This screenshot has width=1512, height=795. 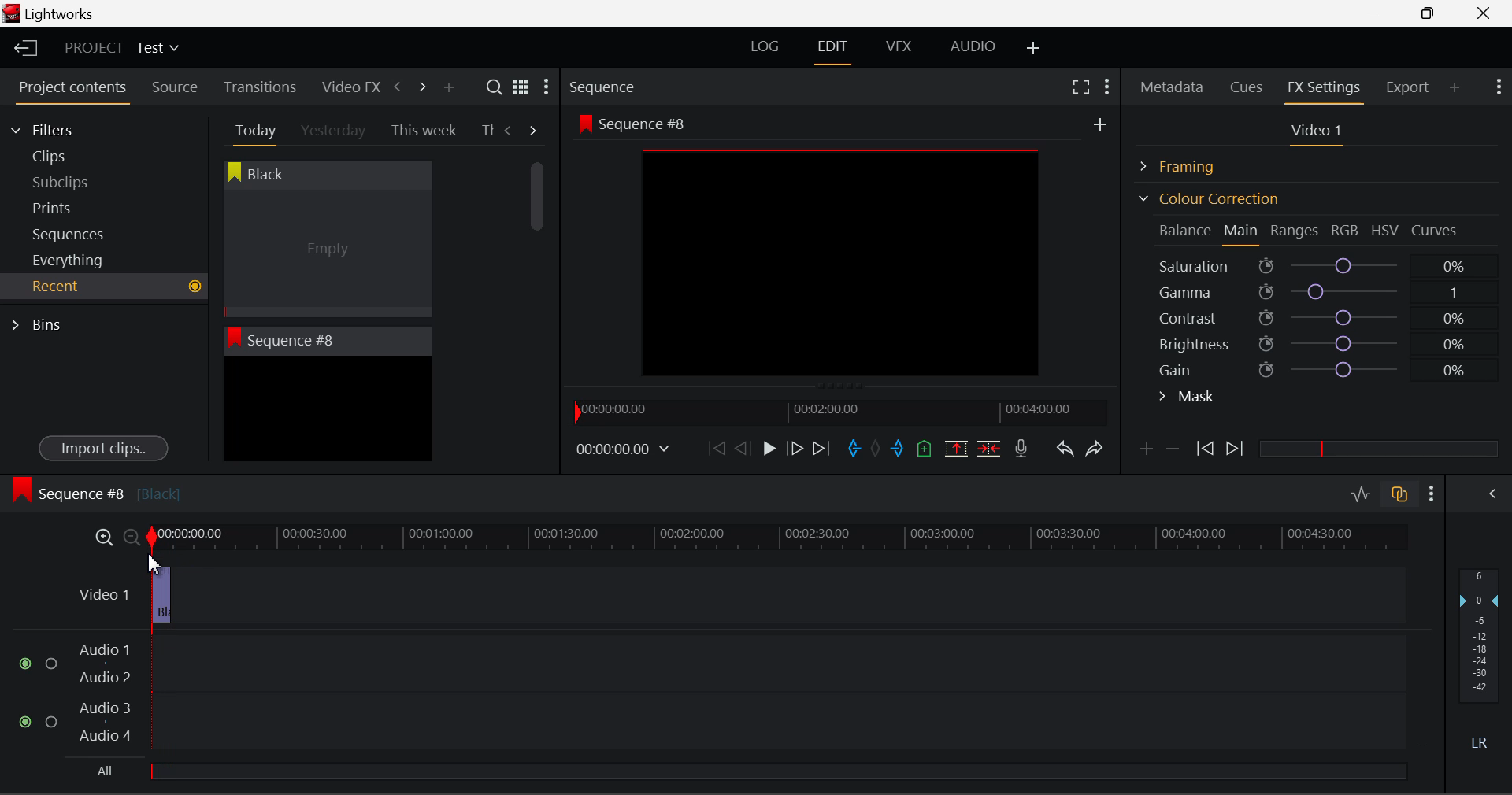 I want to click on slider, so click(x=1378, y=448).